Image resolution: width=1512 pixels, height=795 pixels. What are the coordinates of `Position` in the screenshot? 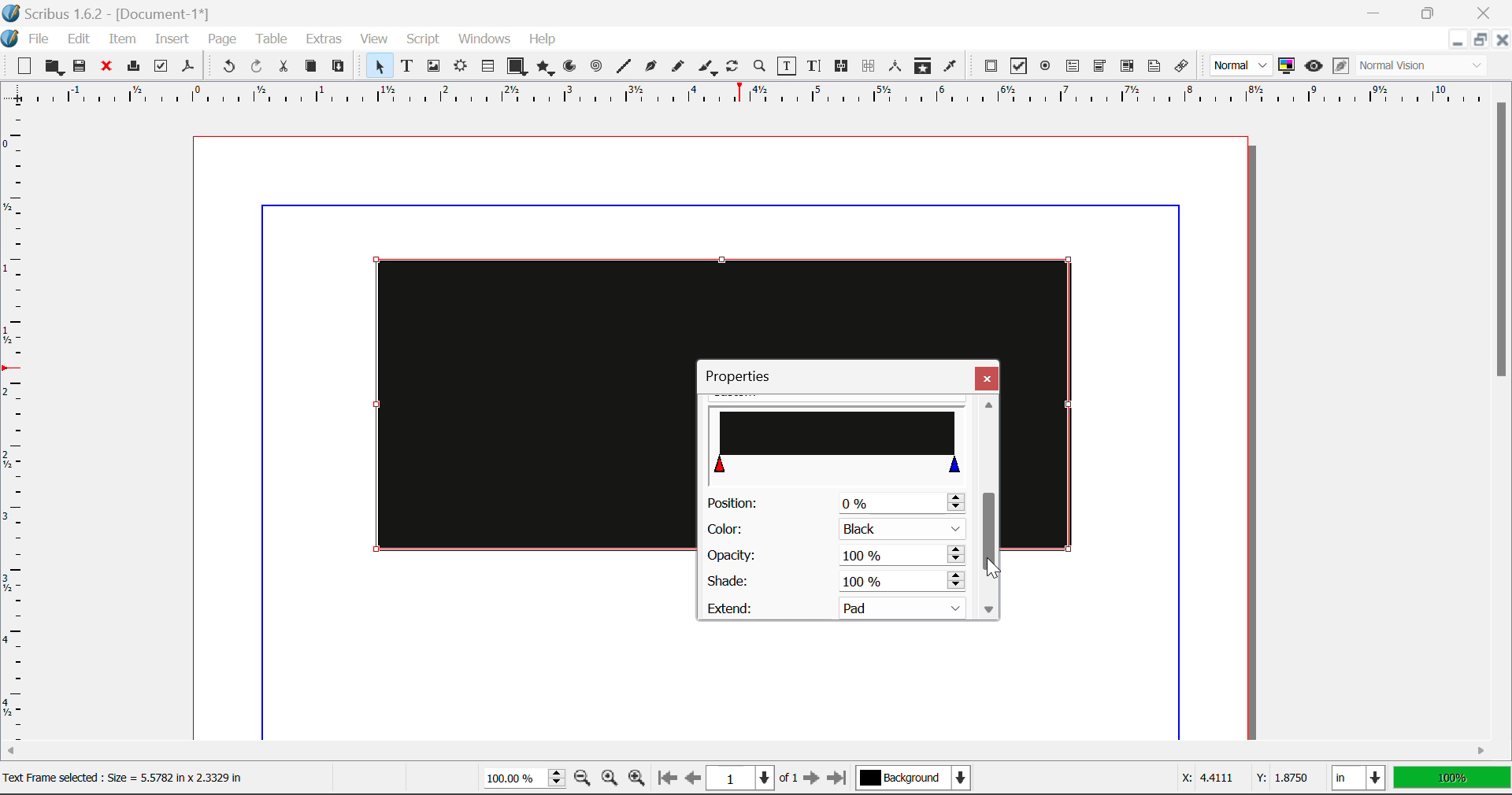 It's located at (835, 502).